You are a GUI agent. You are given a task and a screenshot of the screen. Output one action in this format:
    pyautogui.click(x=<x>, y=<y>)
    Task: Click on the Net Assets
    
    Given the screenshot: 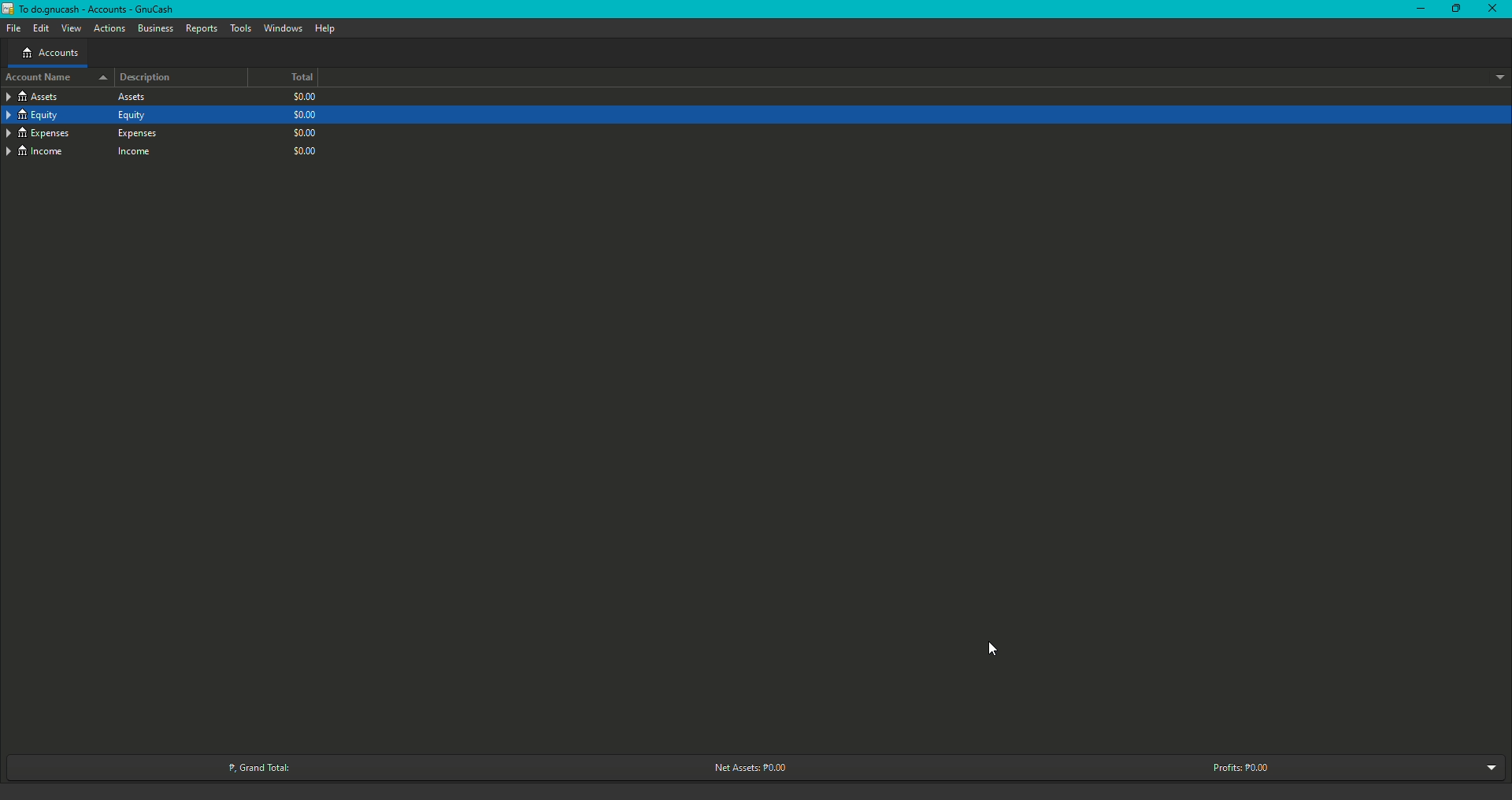 What is the action you would take?
    pyautogui.click(x=747, y=768)
    